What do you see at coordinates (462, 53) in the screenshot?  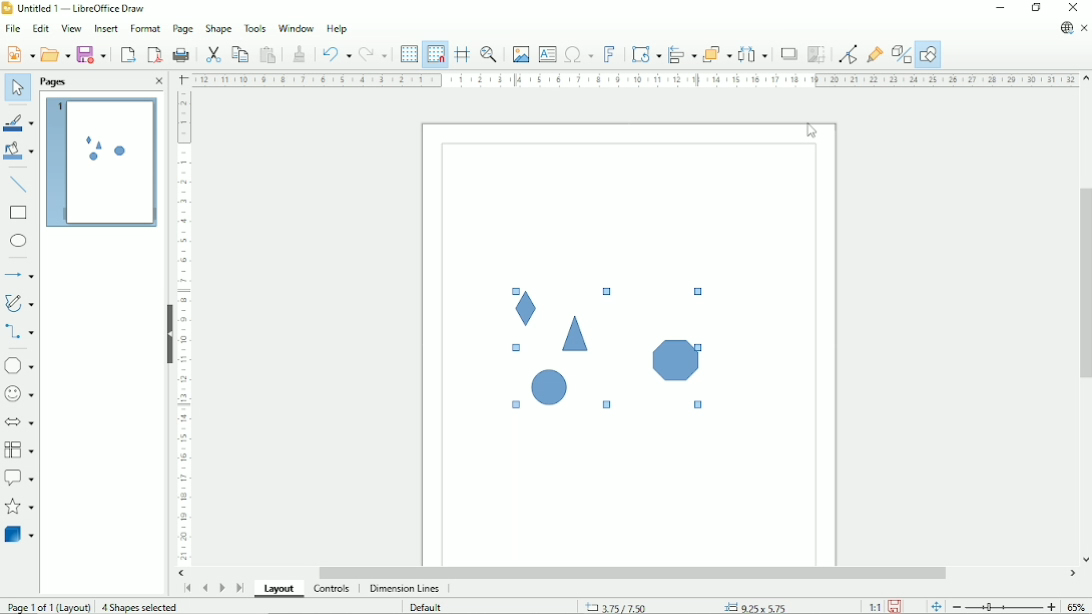 I see `Helplines while moving` at bounding box center [462, 53].